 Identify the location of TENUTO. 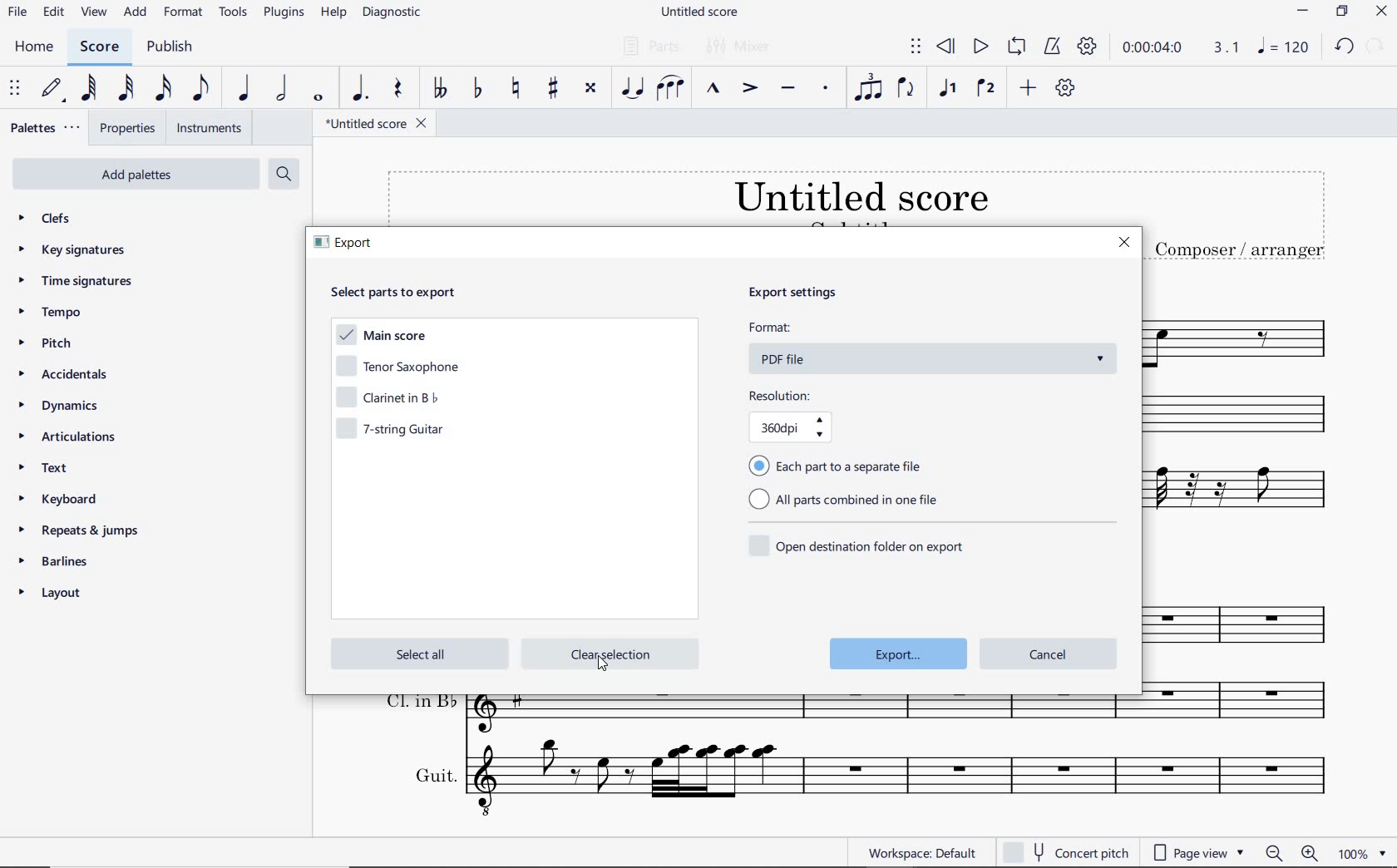
(789, 88).